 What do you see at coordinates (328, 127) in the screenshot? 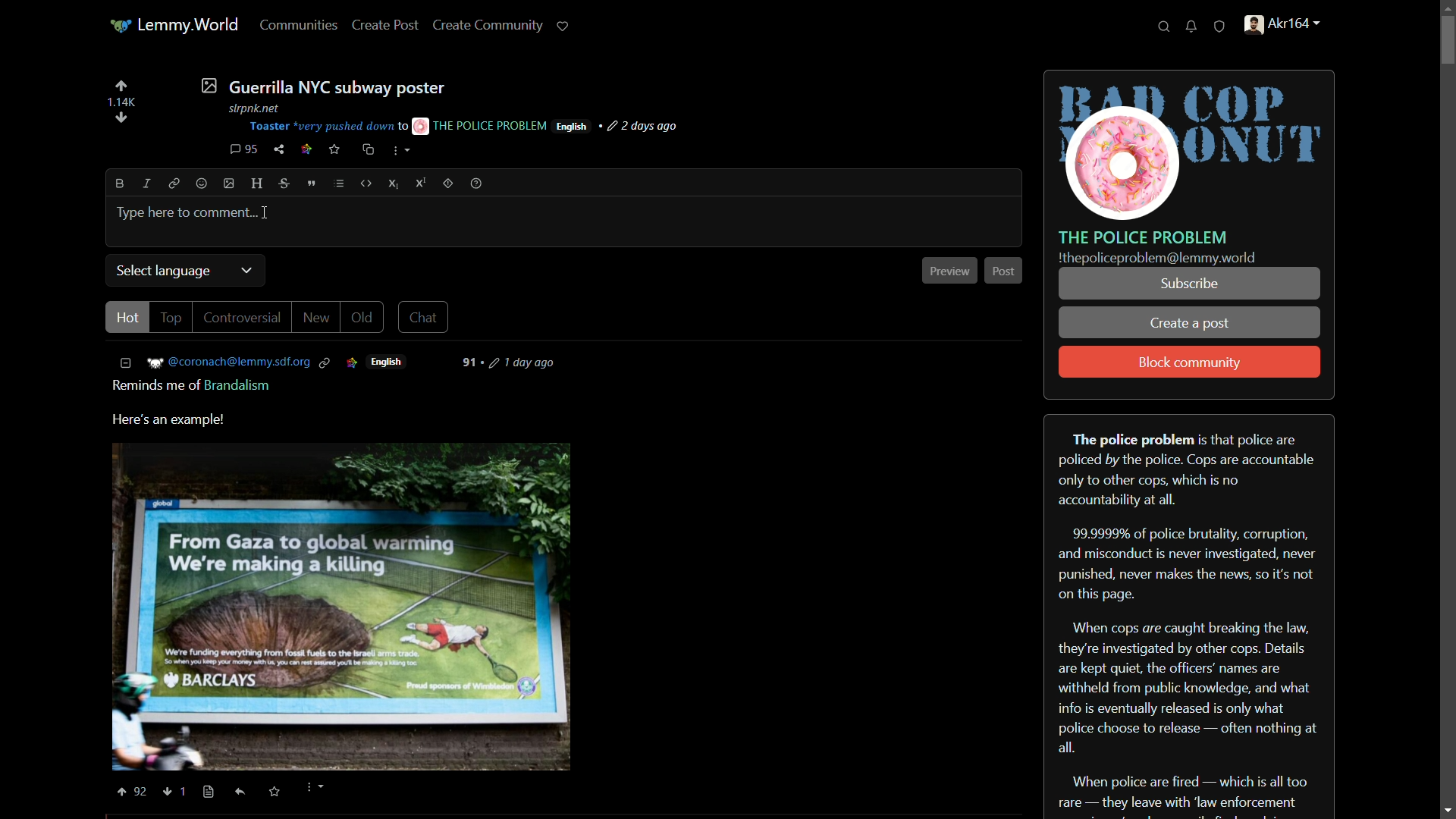
I see `Toaster "very pushed down t0` at bounding box center [328, 127].